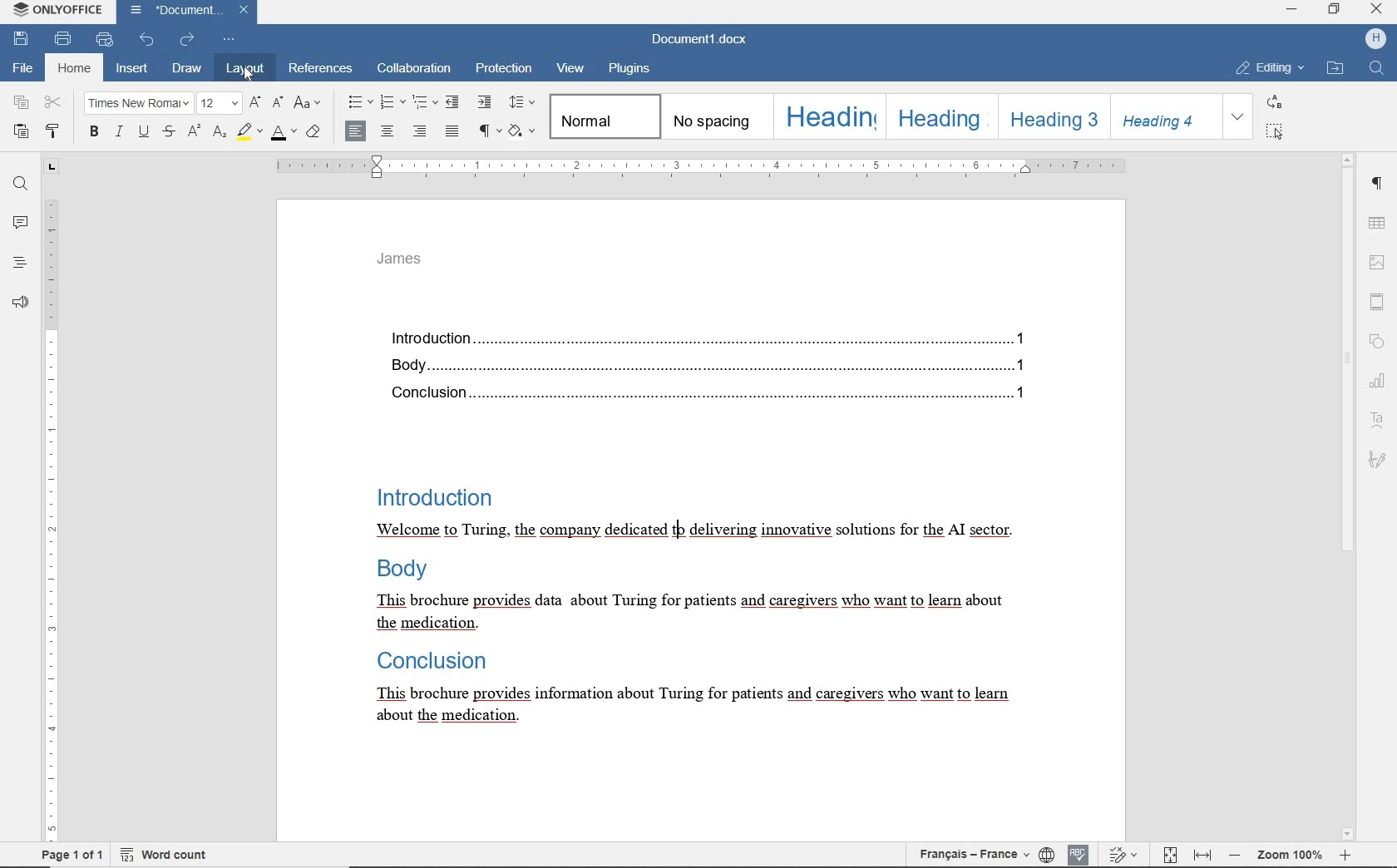  What do you see at coordinates (1379, 382) in the screenshot?
I see `chart` at bounding box center [1379, 382].